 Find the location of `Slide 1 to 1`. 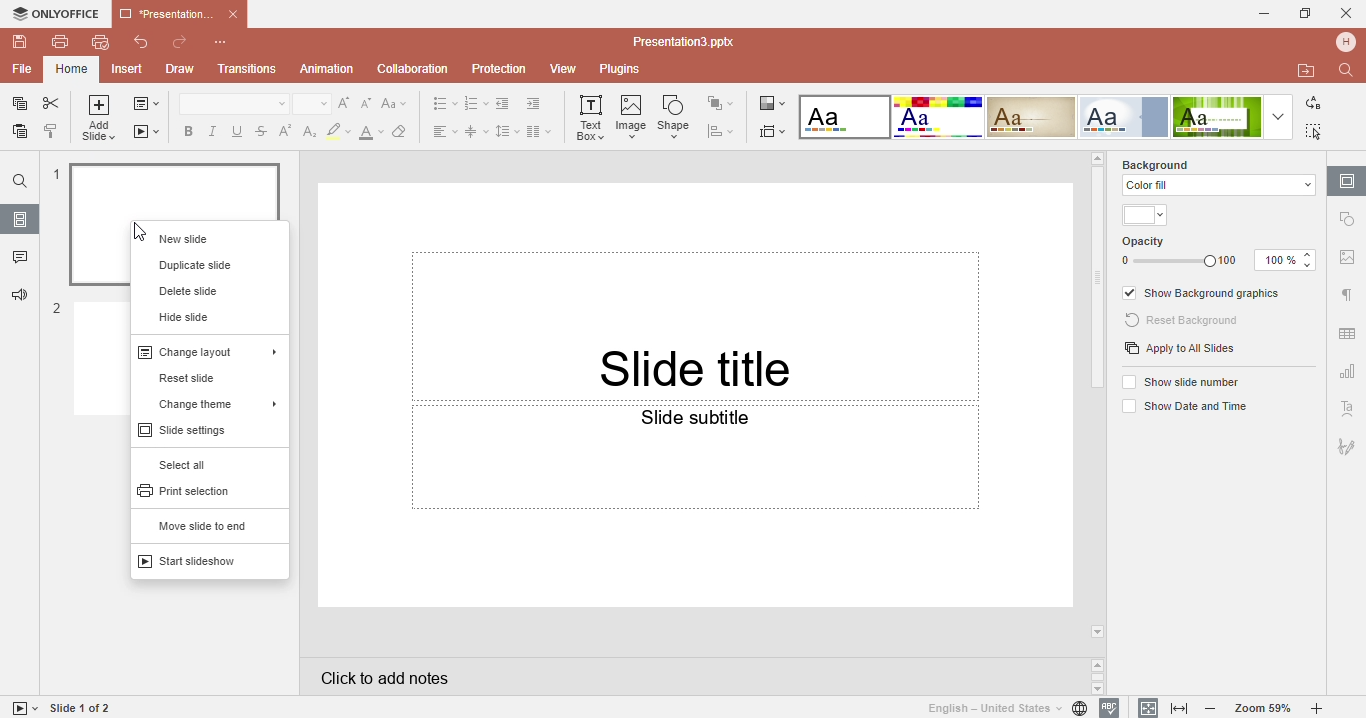

Slide 1 to 1 is located at coordinates (82, 708).